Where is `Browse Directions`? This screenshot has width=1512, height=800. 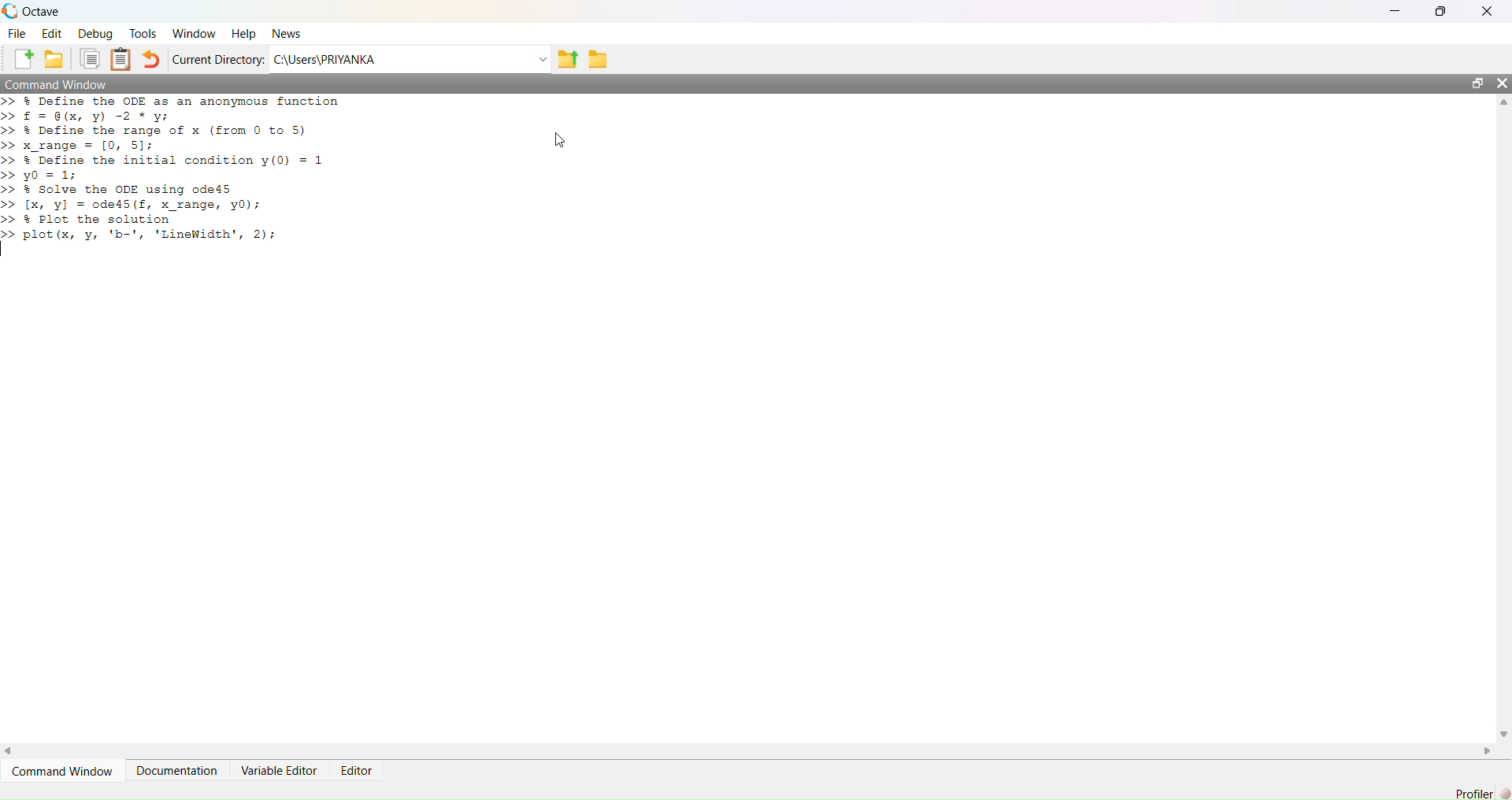
Browse Directions is located at coordinates (598, 59).